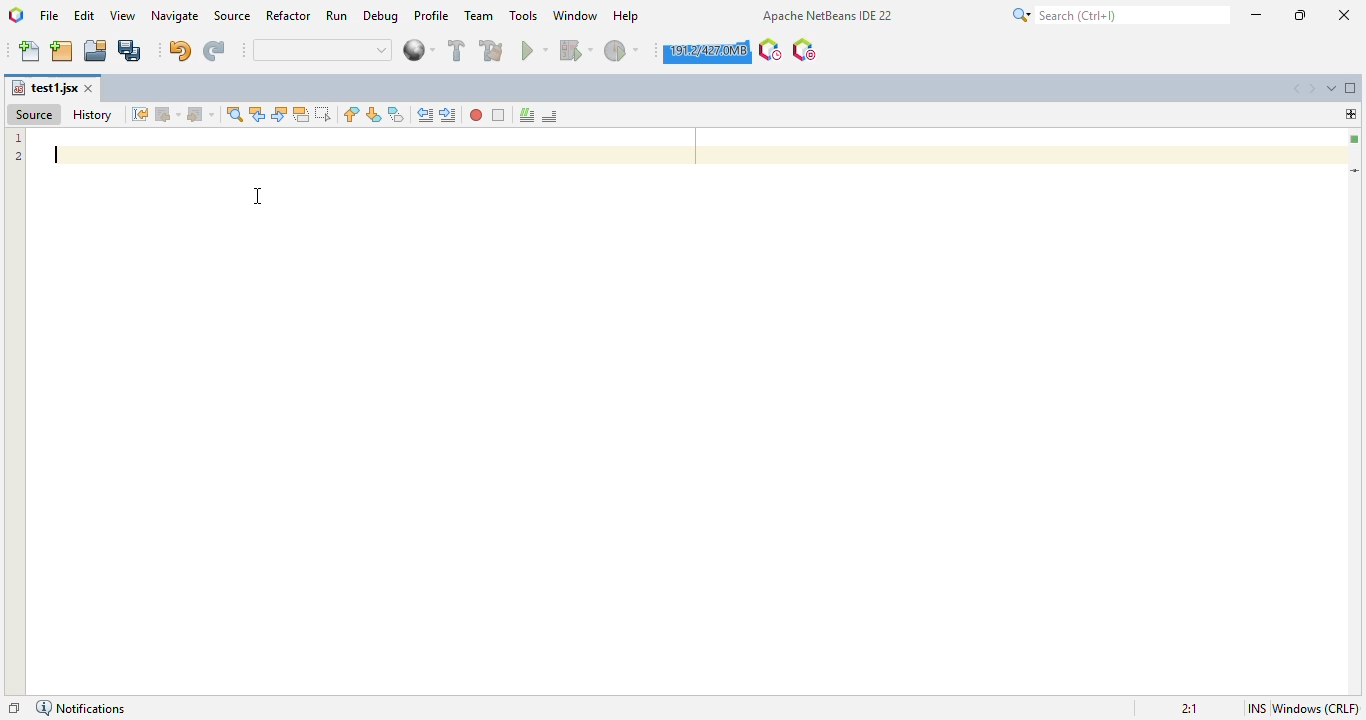  I want to click on last edit, so click(139, 114).